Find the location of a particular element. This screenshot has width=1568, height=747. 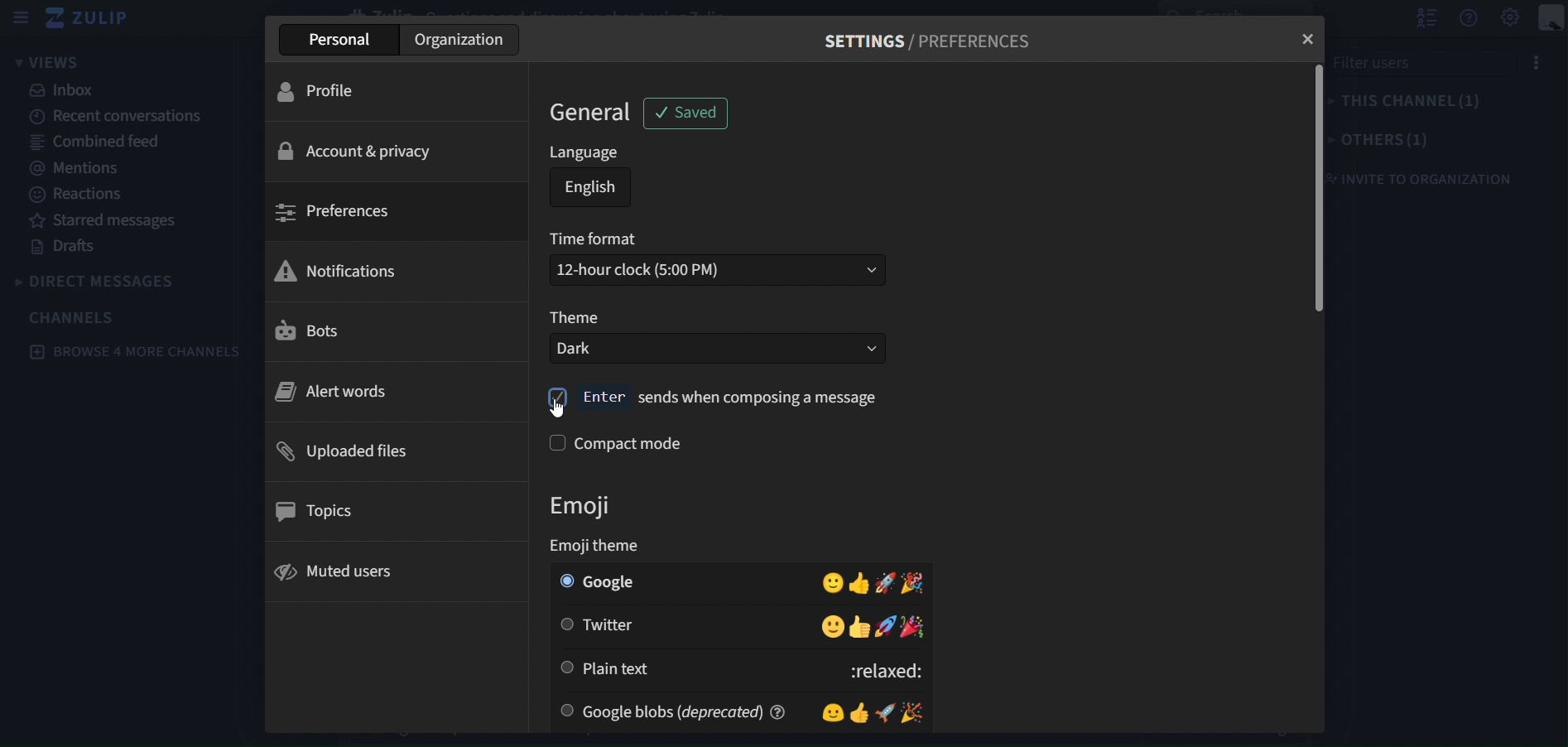

account &privacy is located at coordinates (399, 147).